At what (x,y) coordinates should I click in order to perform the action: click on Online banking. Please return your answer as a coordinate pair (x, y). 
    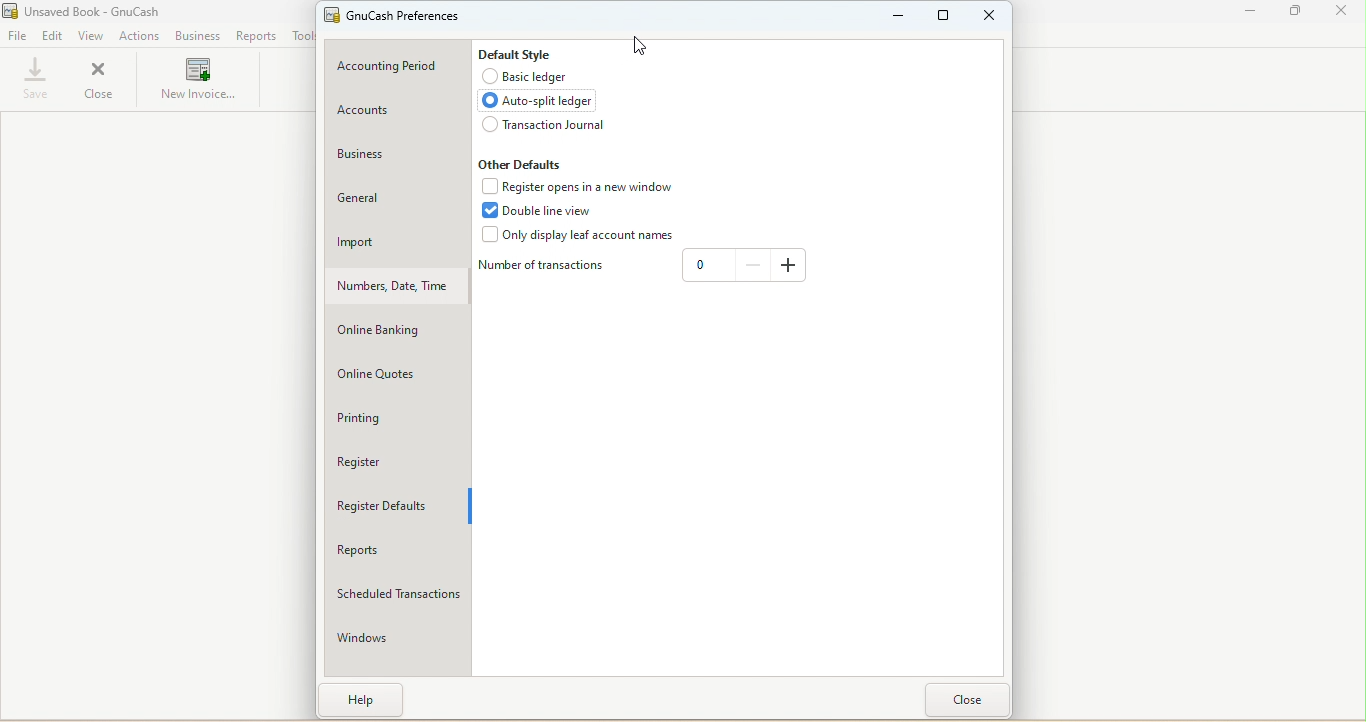
    Looking at the image, I should click on (390, 330).